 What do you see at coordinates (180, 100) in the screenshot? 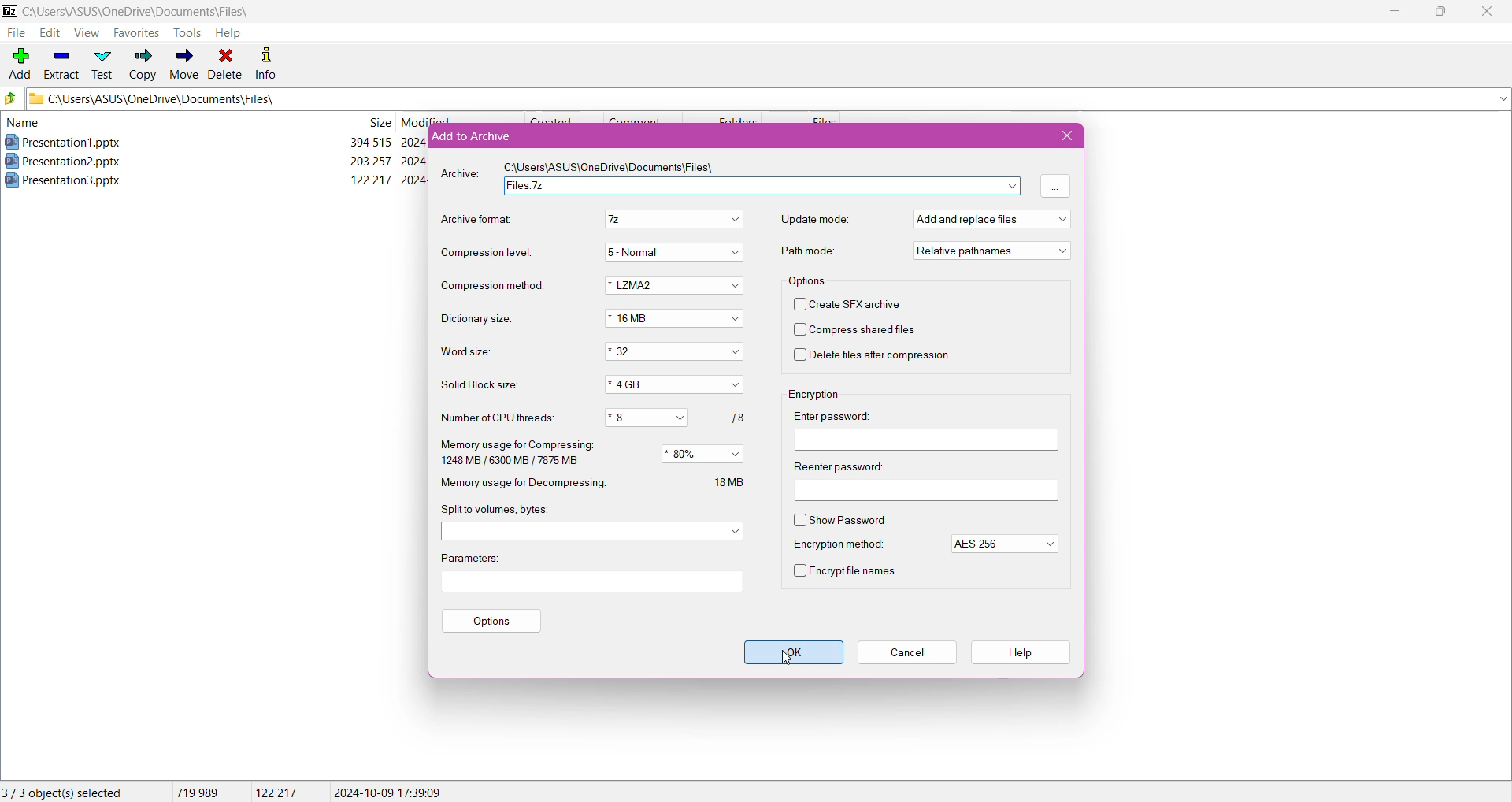
I see `C\Users\ASUS\OneDrive\Documents\Files\` at bounding box center [180, 100].